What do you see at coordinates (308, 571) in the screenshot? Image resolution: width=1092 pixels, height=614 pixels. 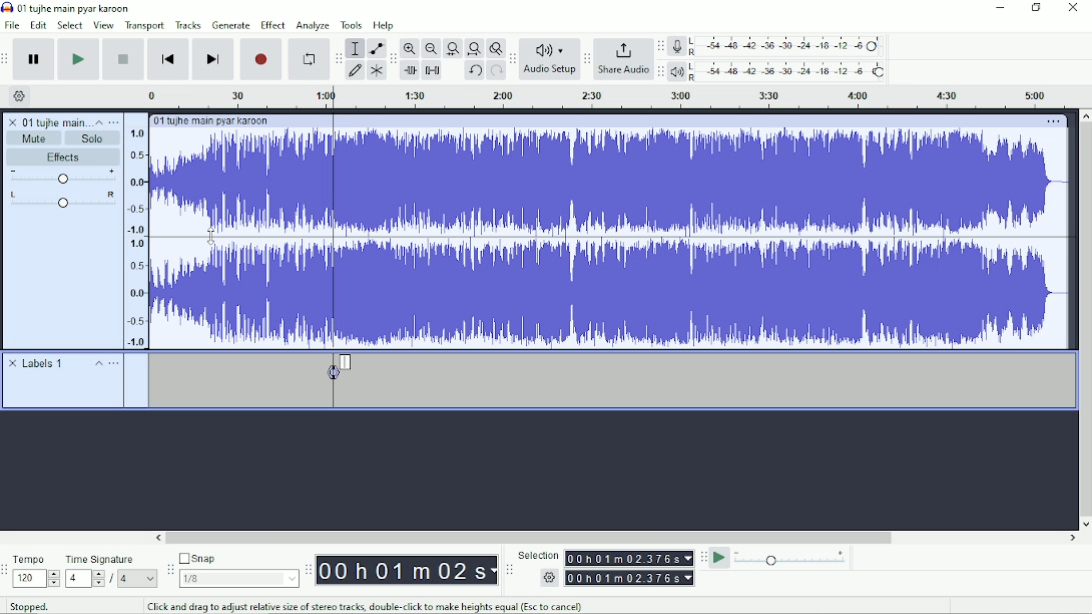 I see `Audacity timetoolbar` at bounding box center [308, 571].